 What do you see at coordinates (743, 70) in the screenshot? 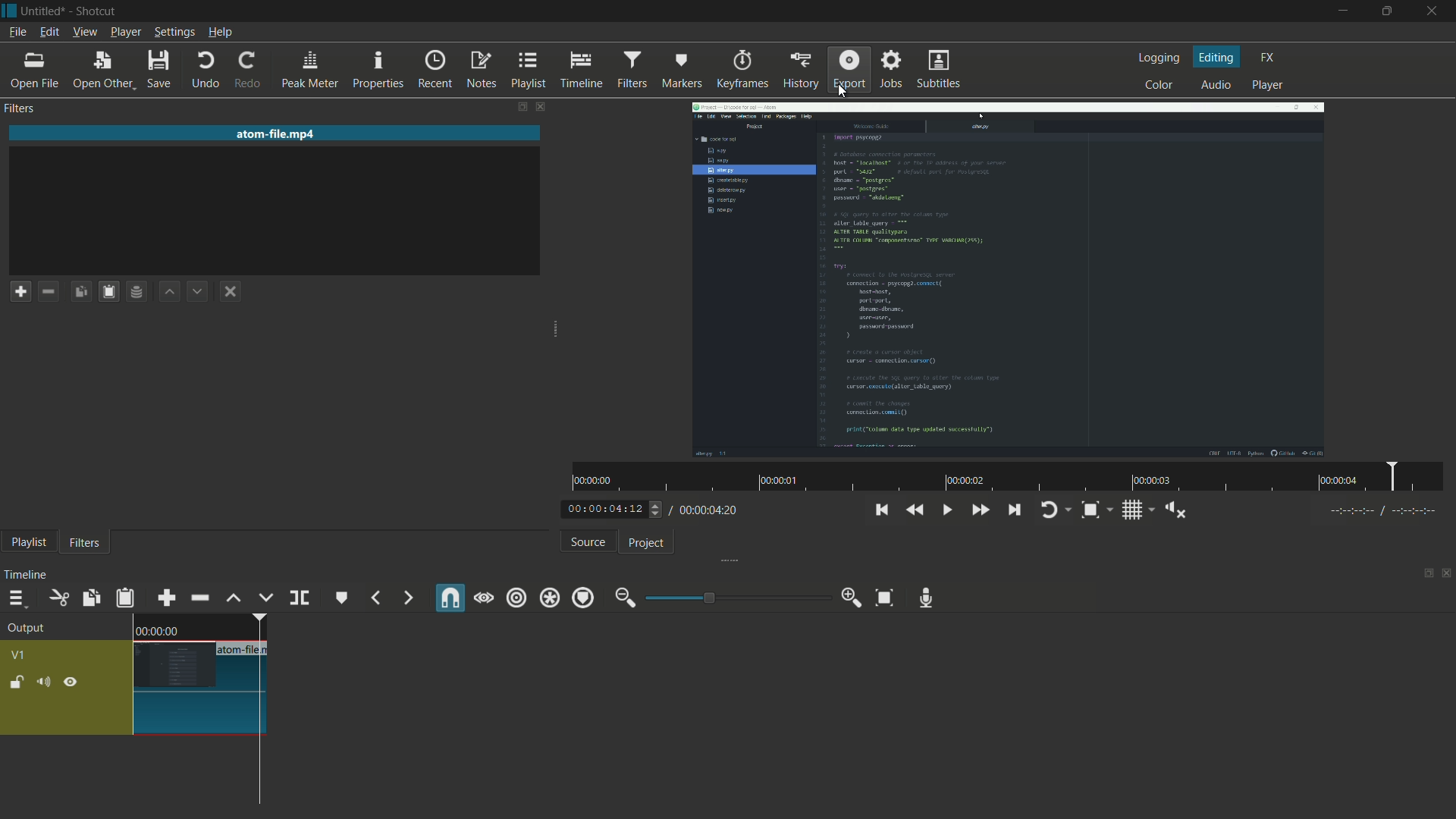
I see `keyframes` at bounding box center [743, 70].